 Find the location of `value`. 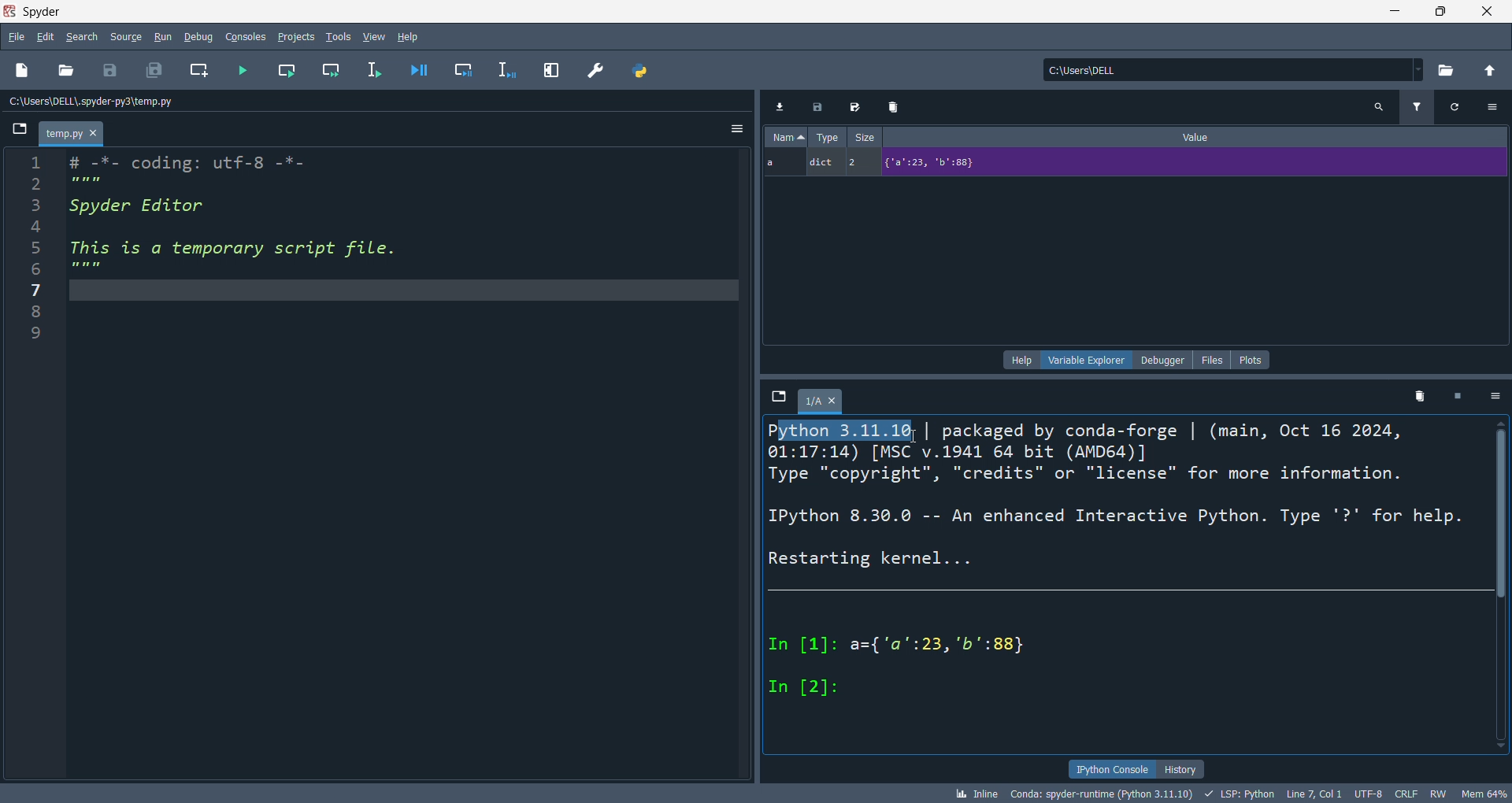

value is located at coordinates (1199, 135).